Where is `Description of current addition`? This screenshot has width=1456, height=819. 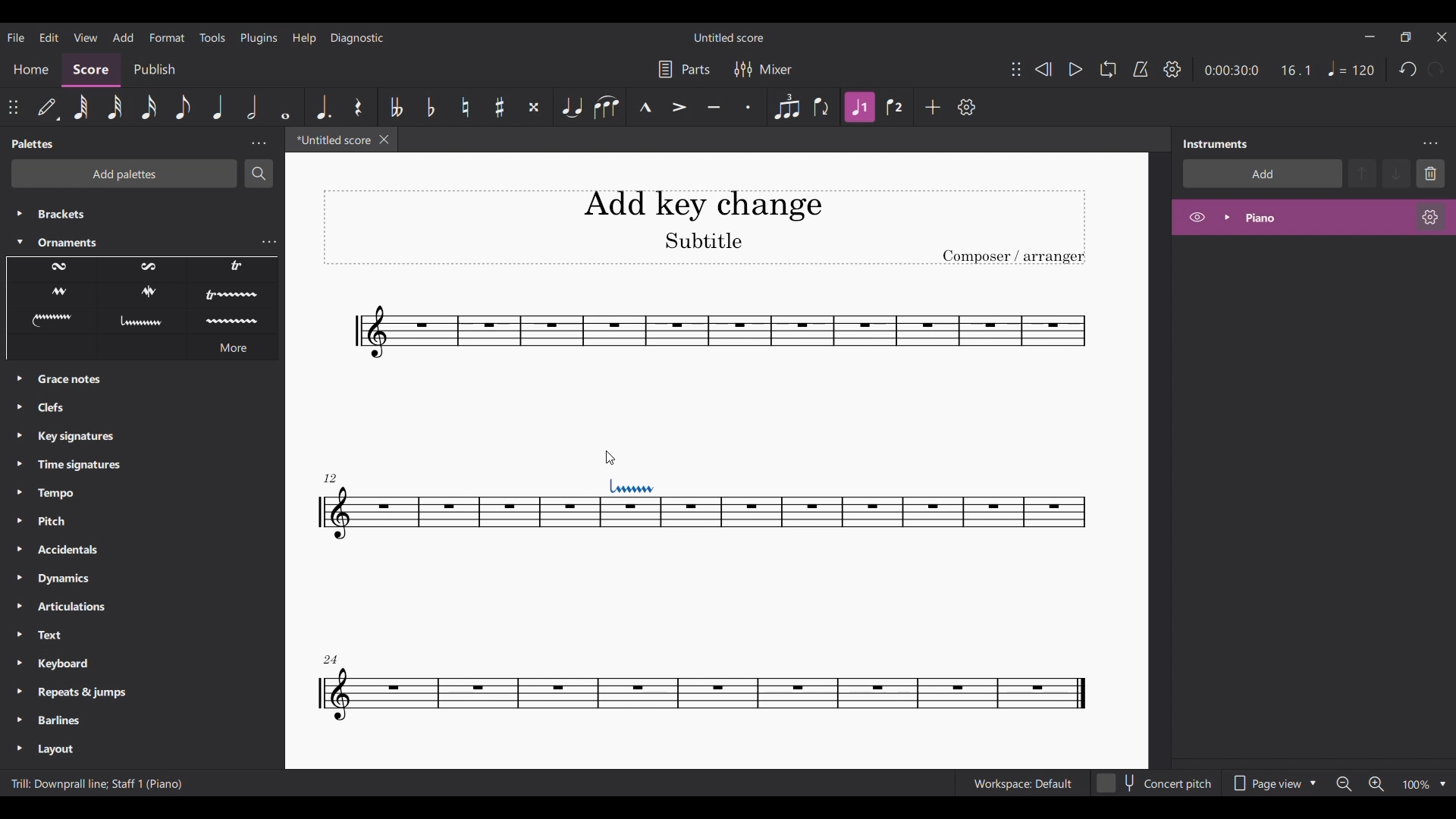
Description of current addition is located at coordinates (118, 784).